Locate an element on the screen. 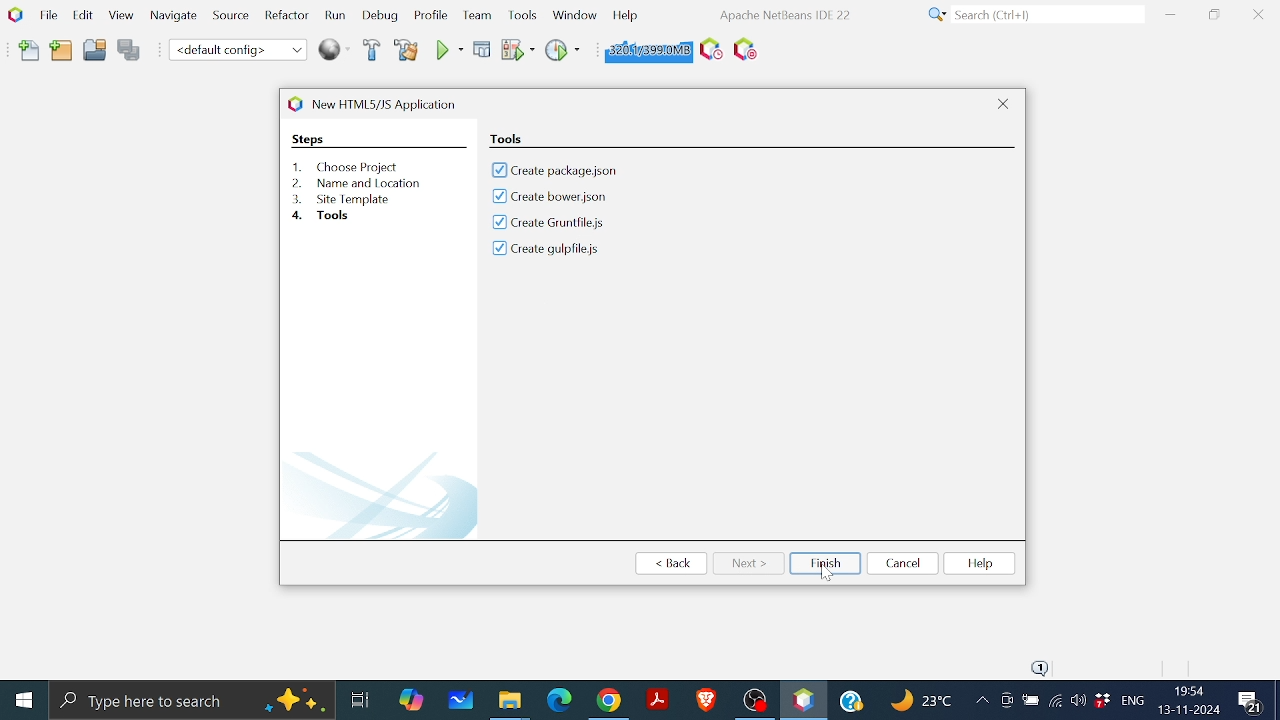 This screenshot has height=720, width=1280. close is located at coordinates (1005, 105).